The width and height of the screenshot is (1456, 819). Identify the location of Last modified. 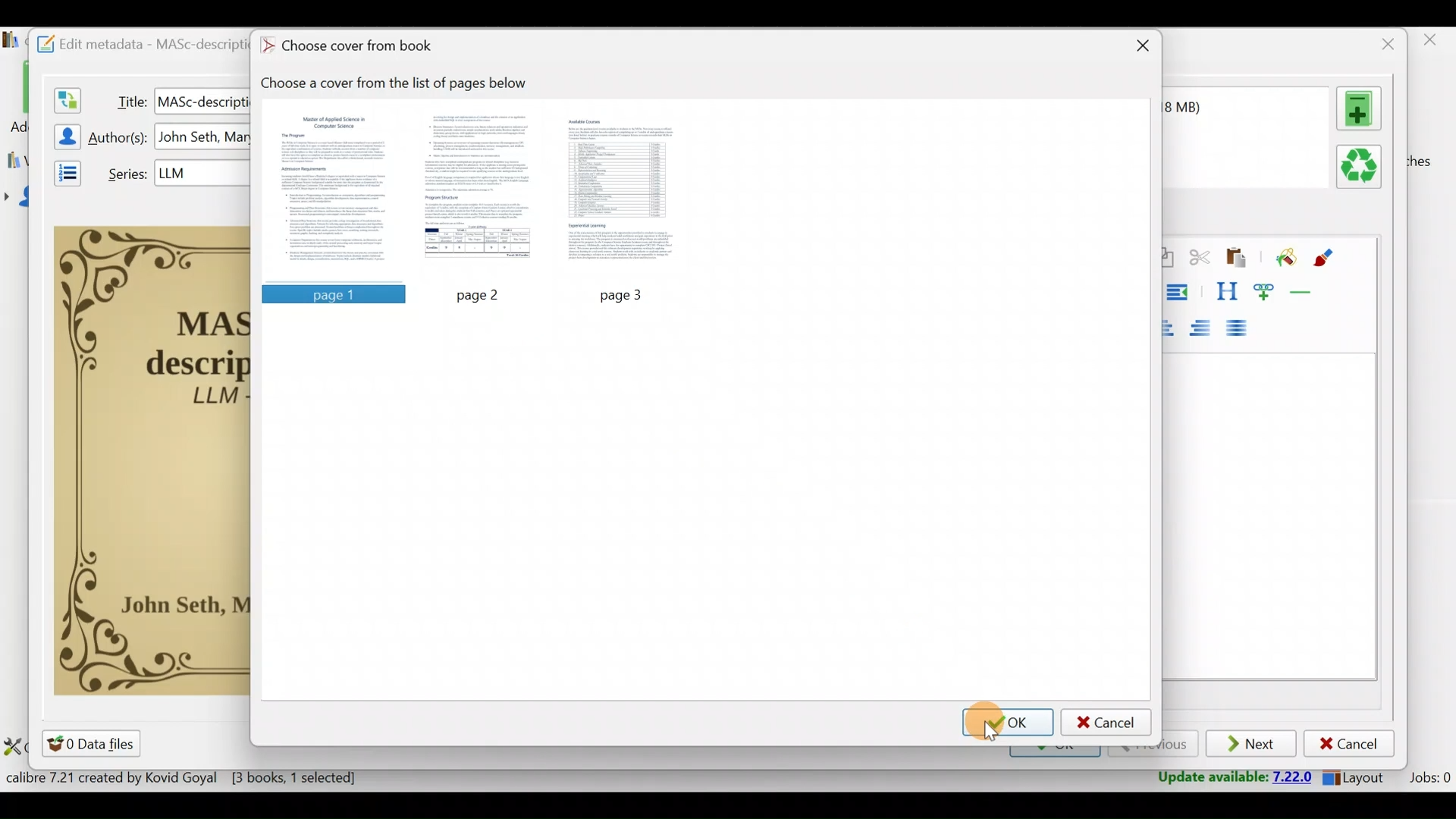
(1203, 107).